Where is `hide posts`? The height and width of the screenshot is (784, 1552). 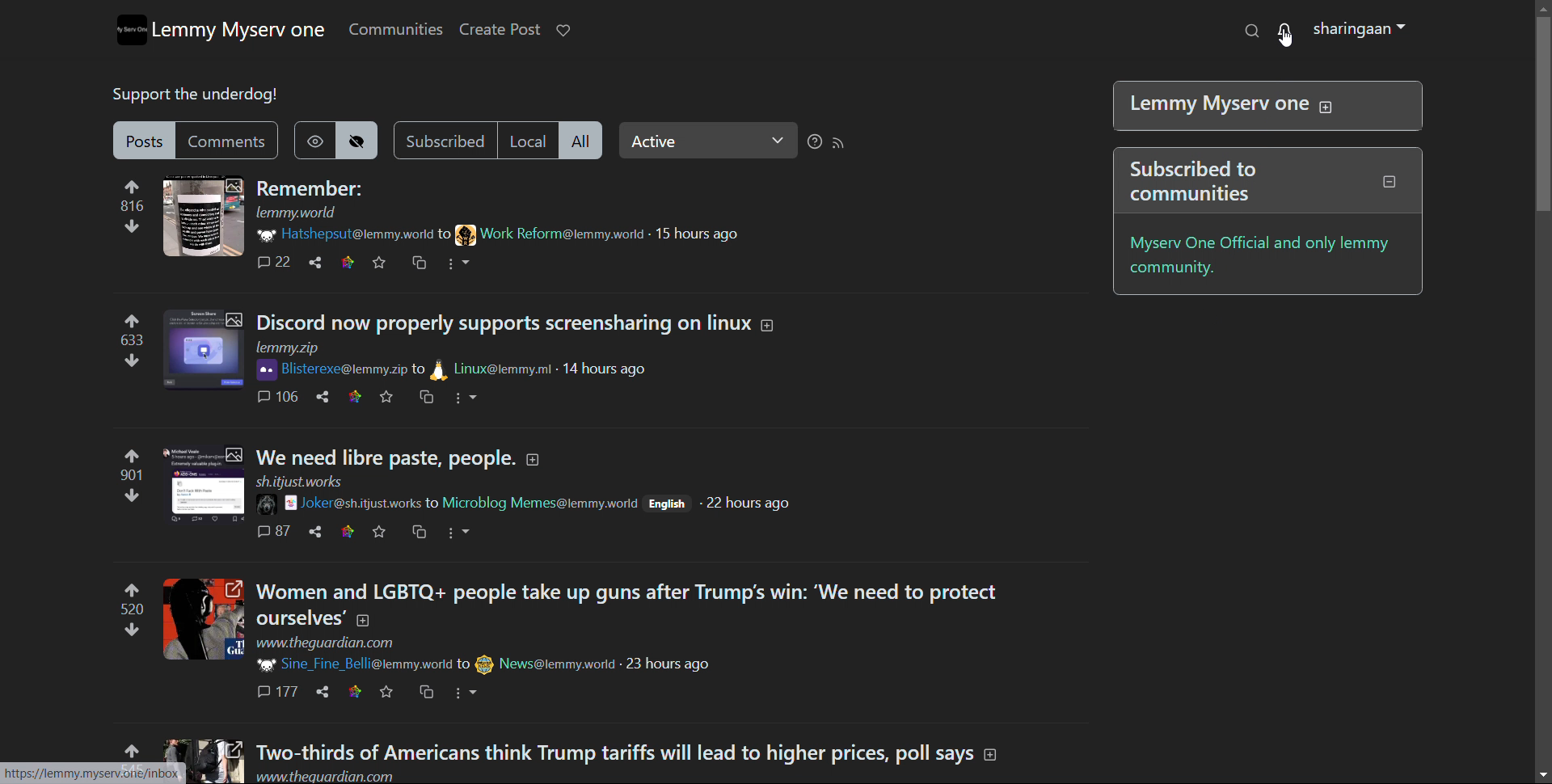 hide posts is located at coordinates (360, 140).